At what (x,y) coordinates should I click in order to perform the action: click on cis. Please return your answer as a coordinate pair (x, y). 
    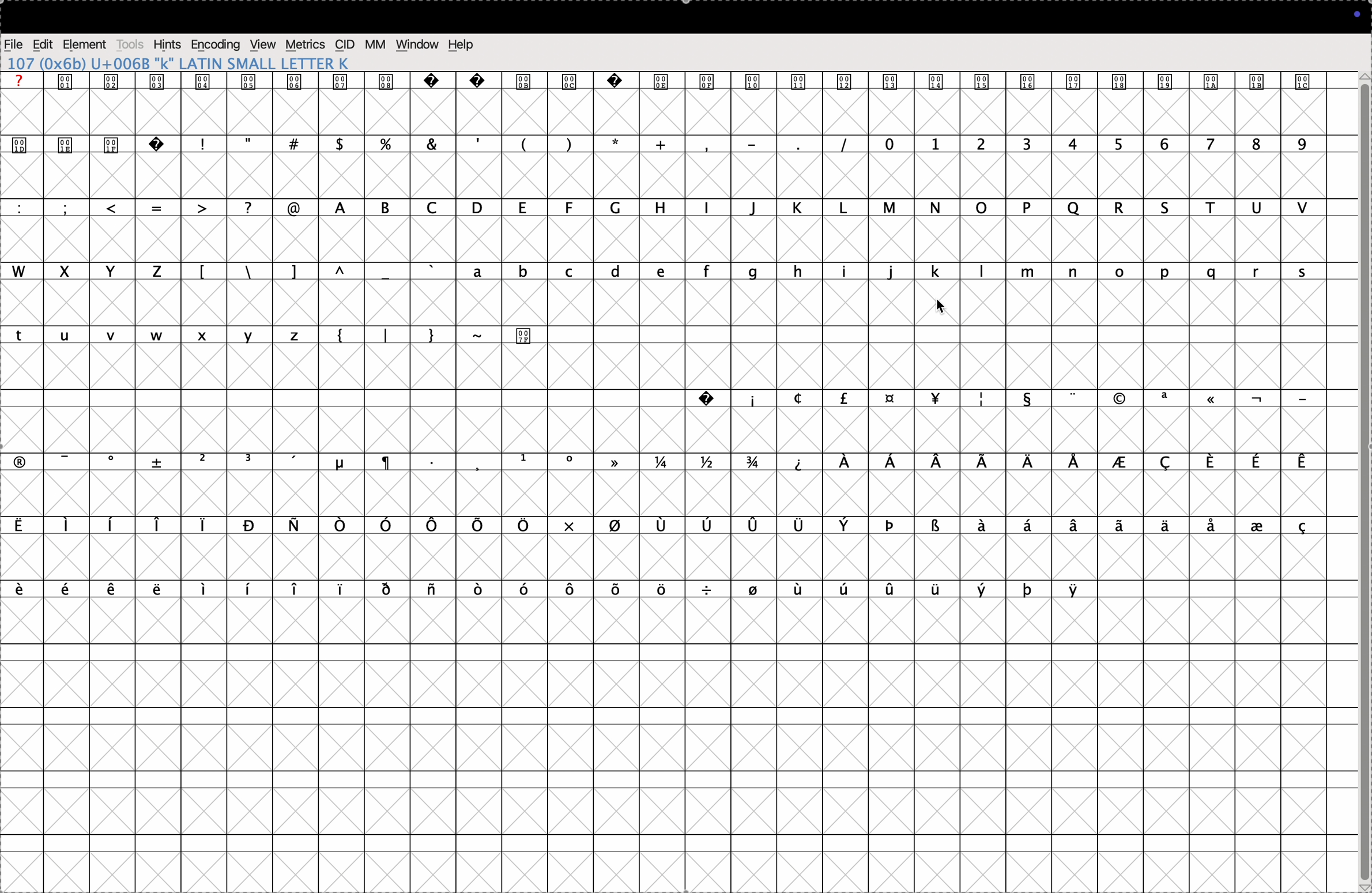
    Looking at the image, I should click on (345, 46).